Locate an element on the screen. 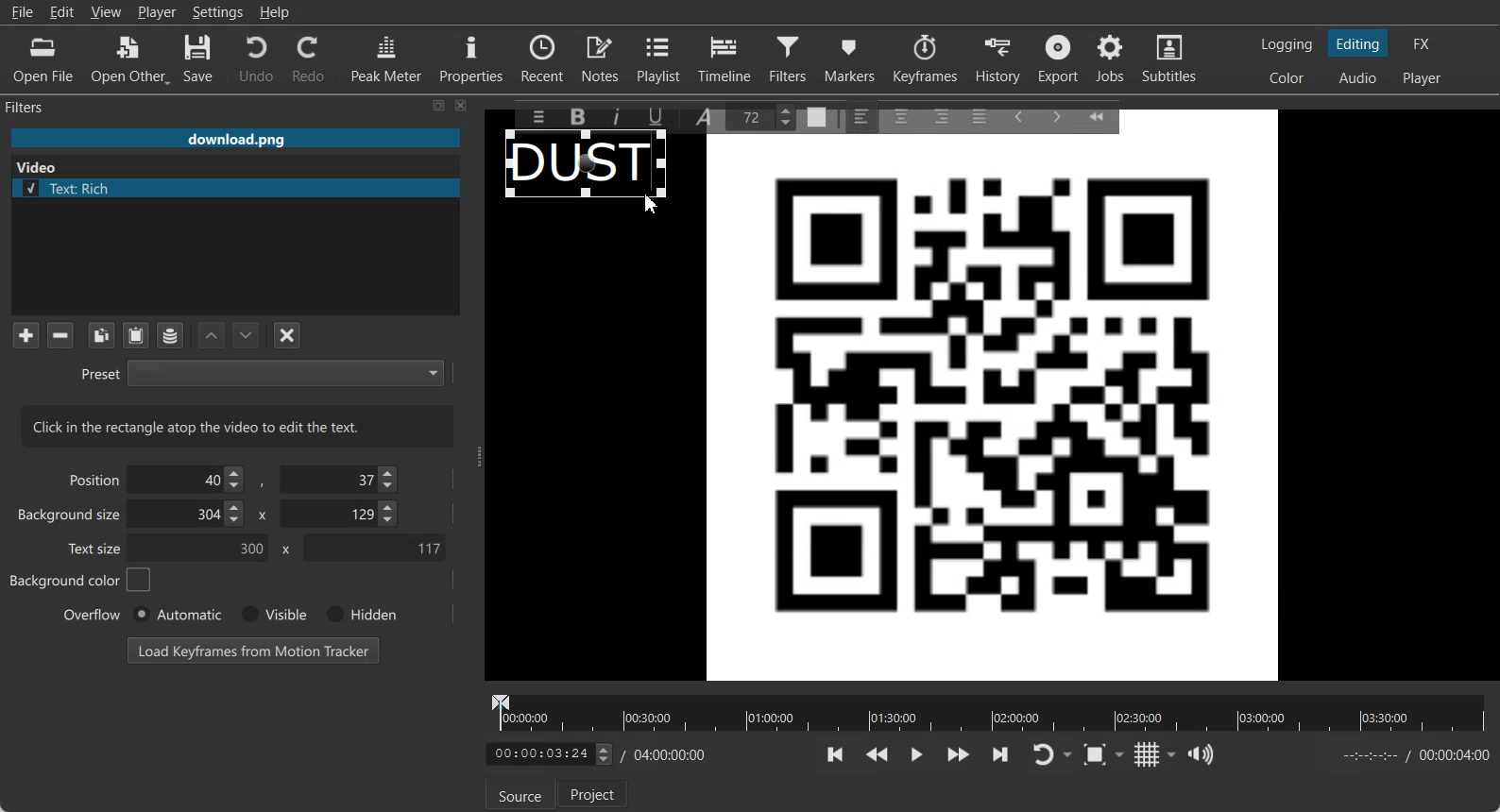  Jobs is located at coordinates (1112, 59).